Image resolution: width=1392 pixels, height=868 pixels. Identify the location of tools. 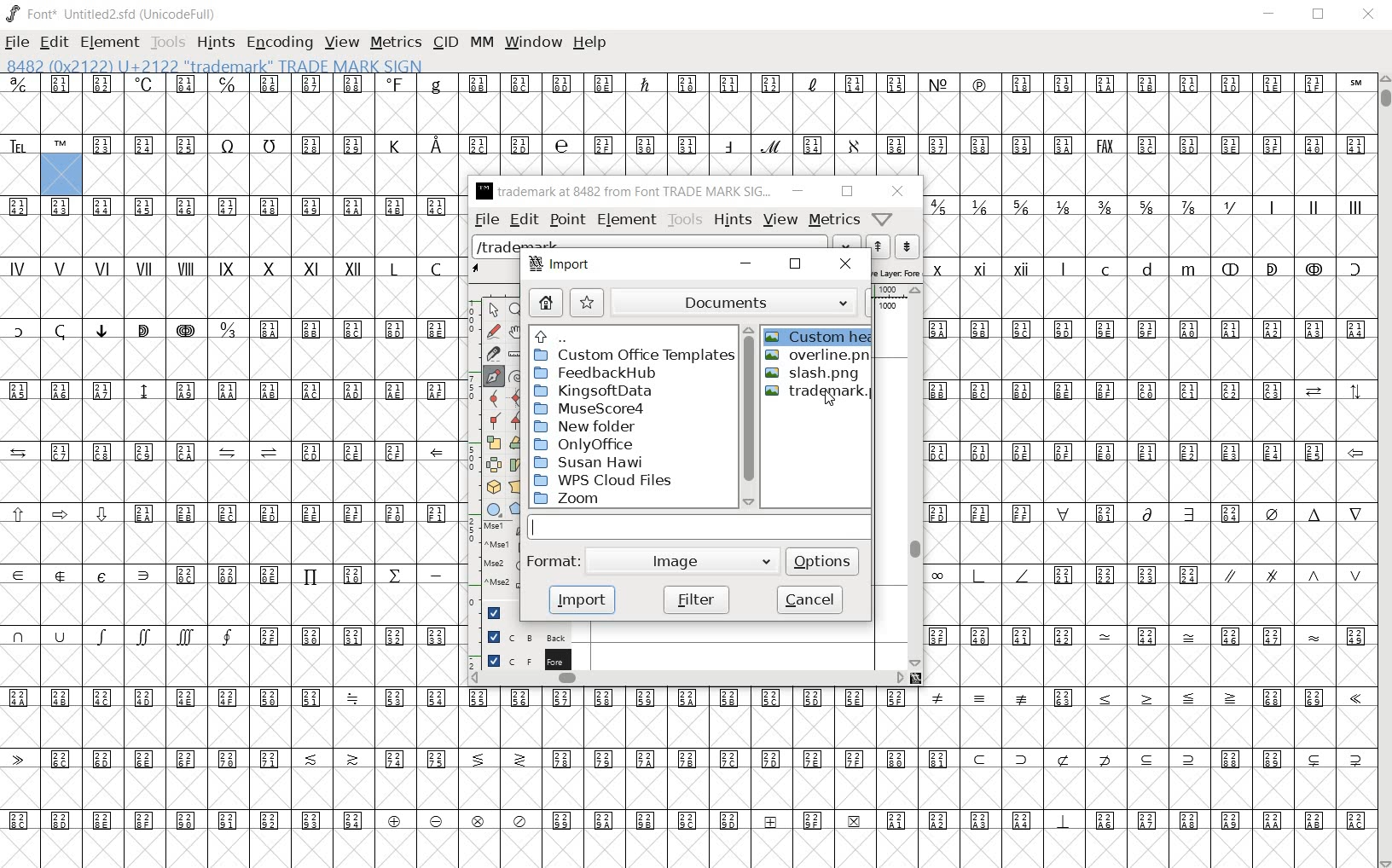
(683, 220).